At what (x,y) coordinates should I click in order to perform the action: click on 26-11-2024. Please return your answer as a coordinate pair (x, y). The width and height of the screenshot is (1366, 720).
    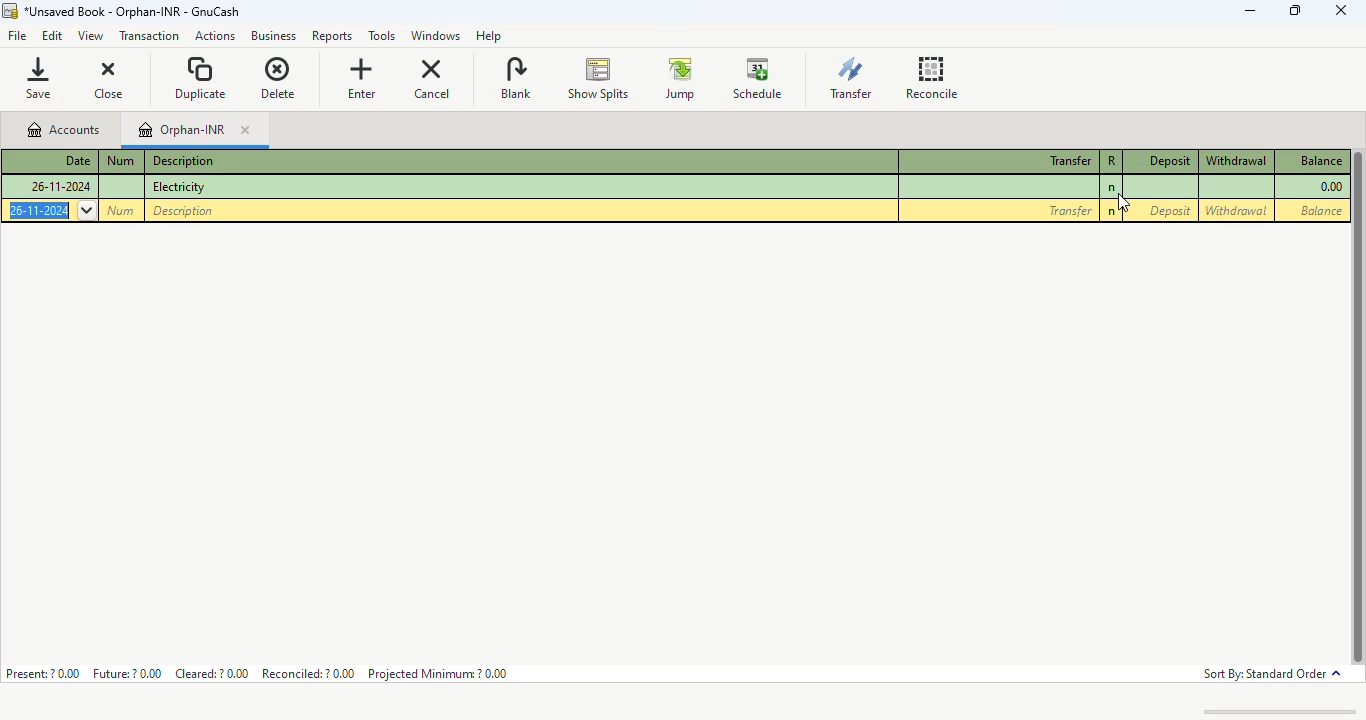
    Looking at the image, I should click on (51, 210).